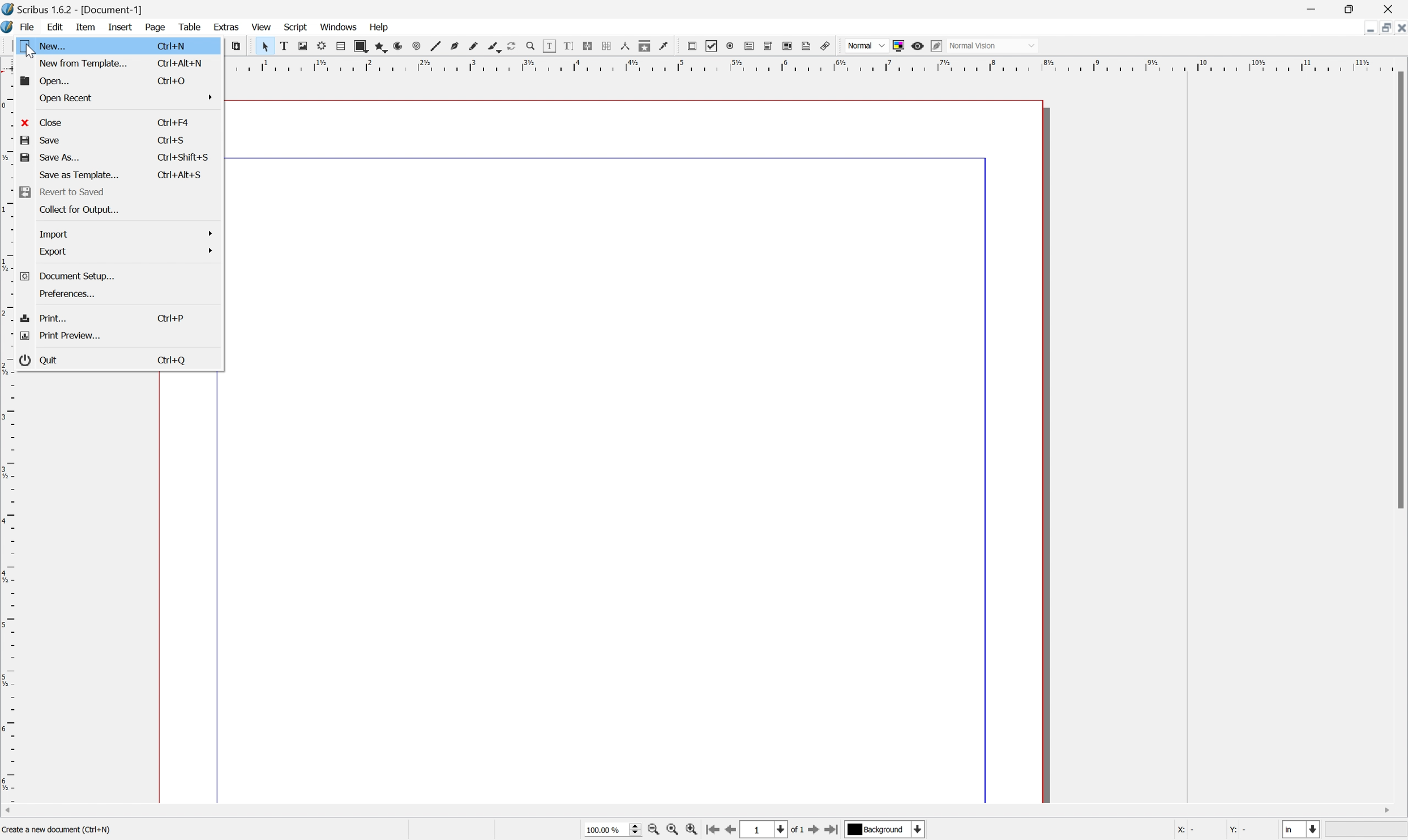 The height and width of the screenshot is (840, 1408). What do you see at coordinates (570, 46) in the screenshot?
I see `Edit text with story editor` at bounding box center [570, 46].